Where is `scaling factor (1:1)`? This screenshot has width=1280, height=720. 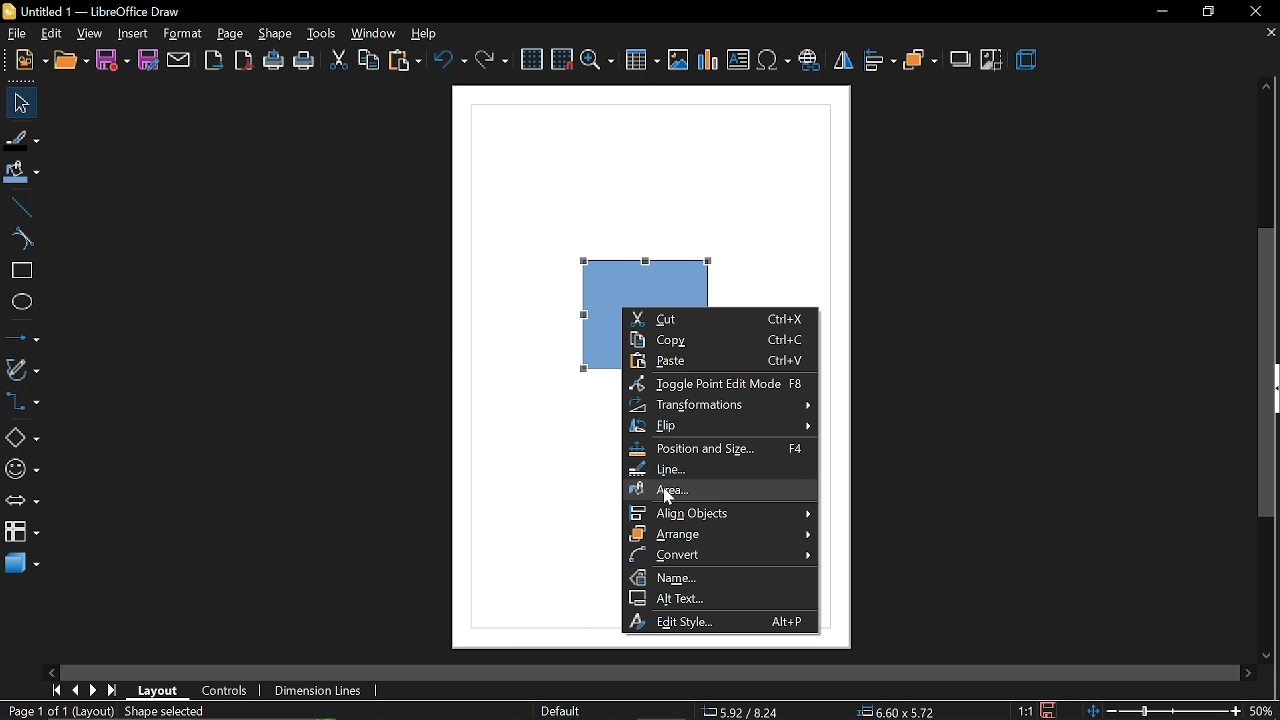 scaling factor (1:1) is located at coordinates (1023, 710).